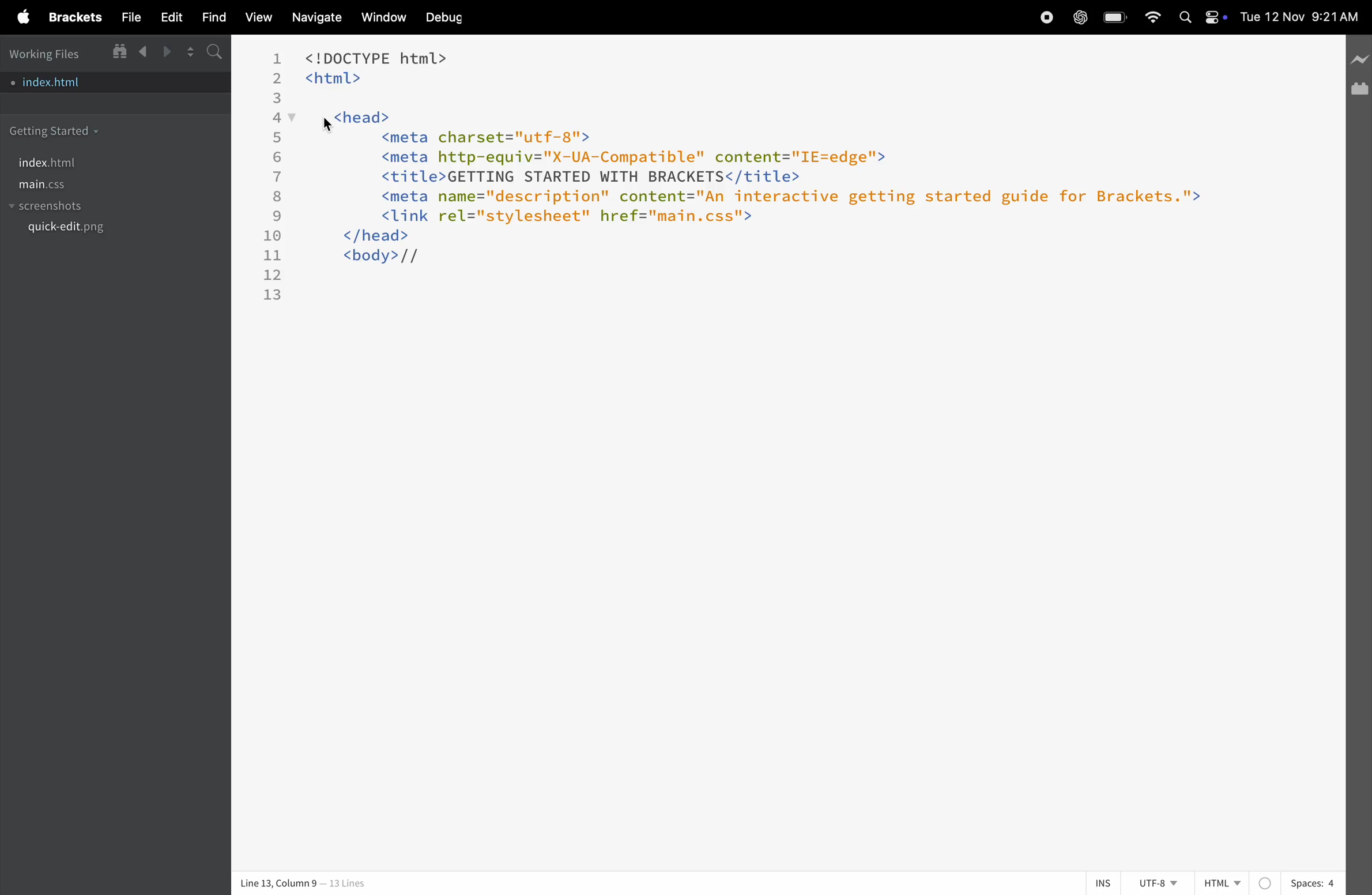 This screenshot has height=895, width=1372. Describe the element at coordinates (120, 50) in the screenshot. I see `show in file tree` at that location.